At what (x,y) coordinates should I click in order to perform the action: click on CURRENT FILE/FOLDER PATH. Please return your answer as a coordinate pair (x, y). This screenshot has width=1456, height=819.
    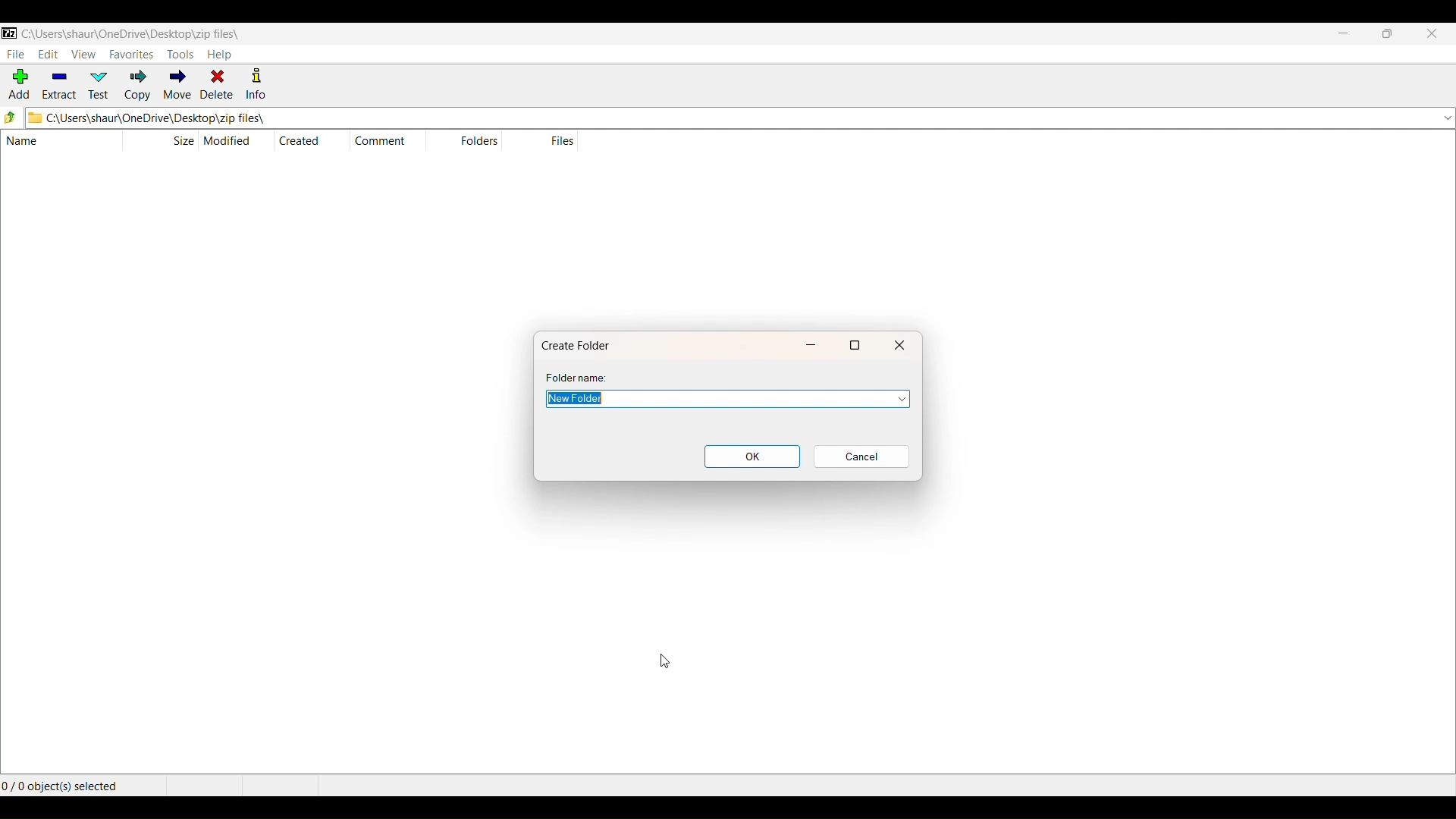
    Looking at the image, I should click on (130, 32).